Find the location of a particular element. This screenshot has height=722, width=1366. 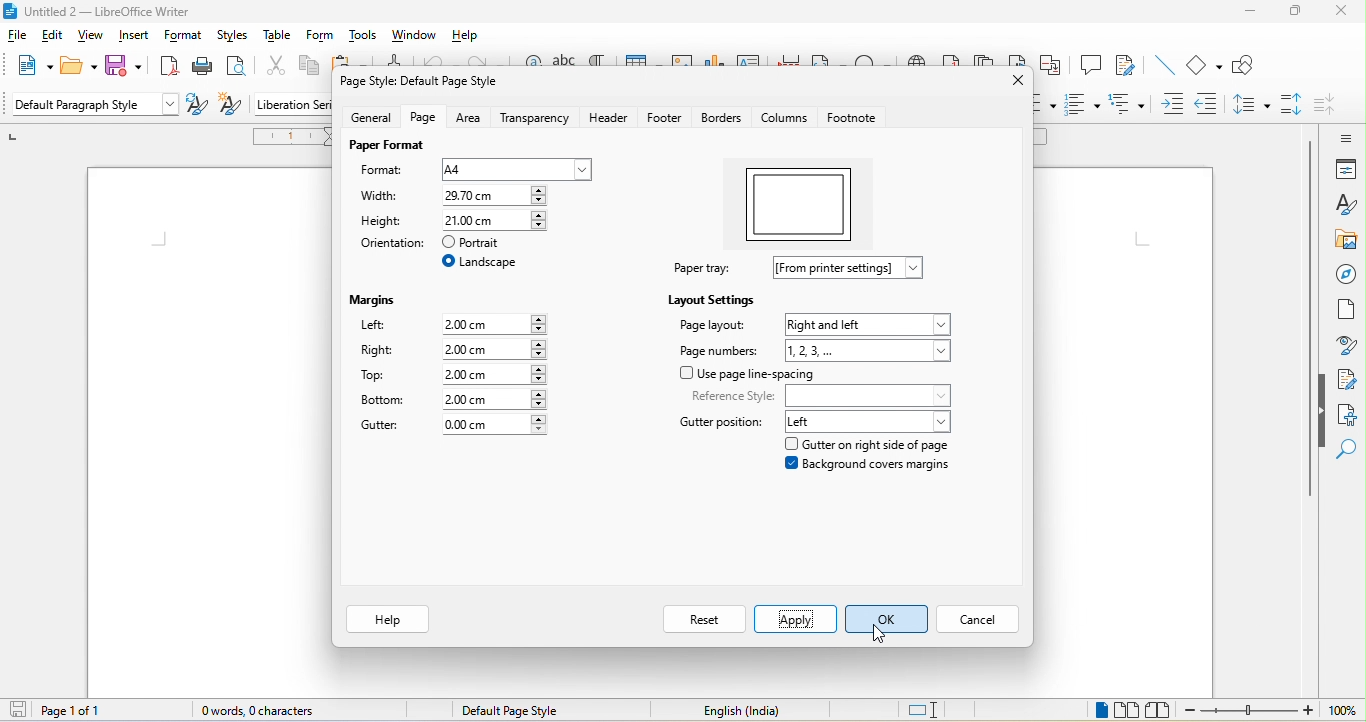

liberation is located at coordinates (290, 104).